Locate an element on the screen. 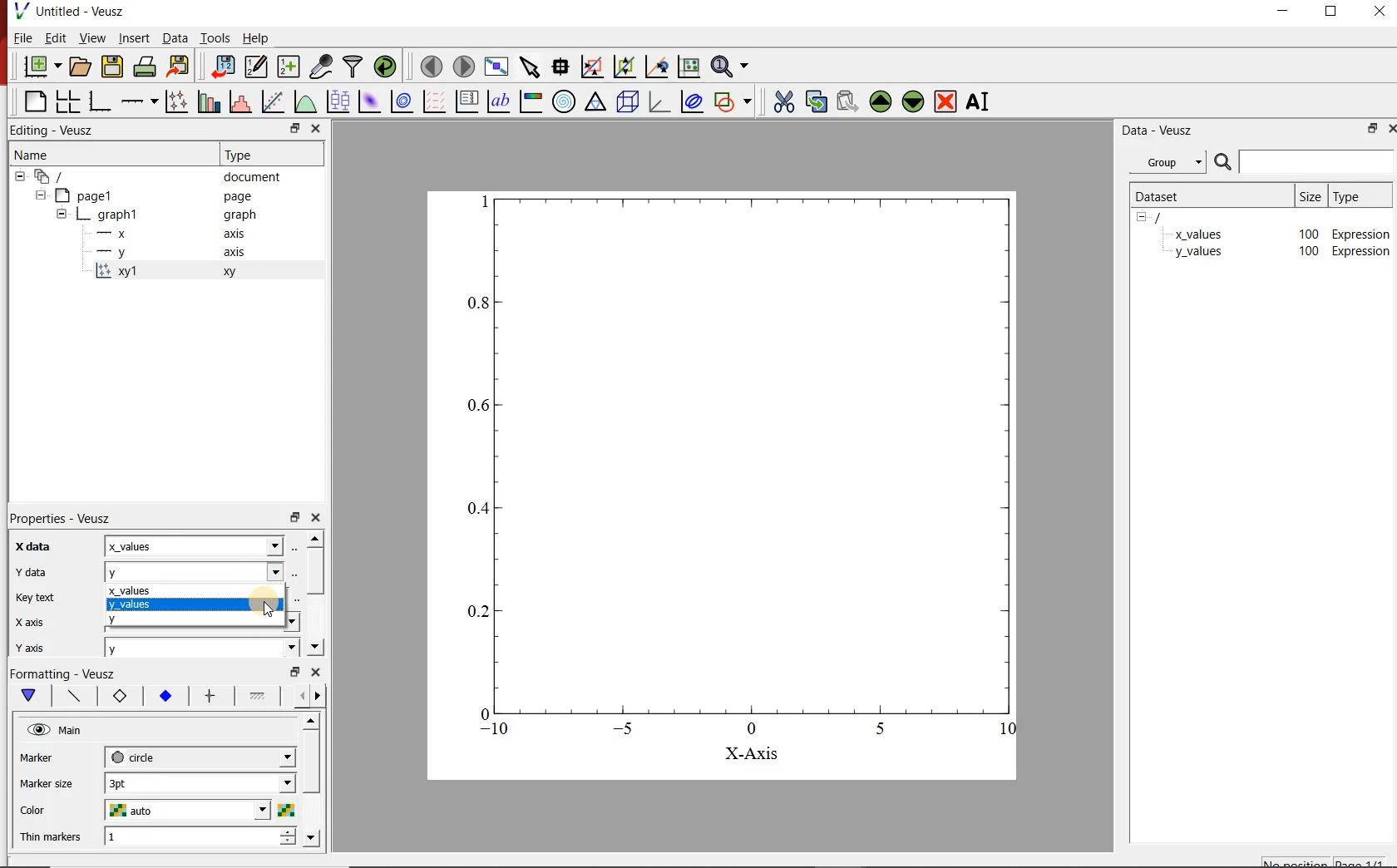  document is located at coordinates (250, 177).